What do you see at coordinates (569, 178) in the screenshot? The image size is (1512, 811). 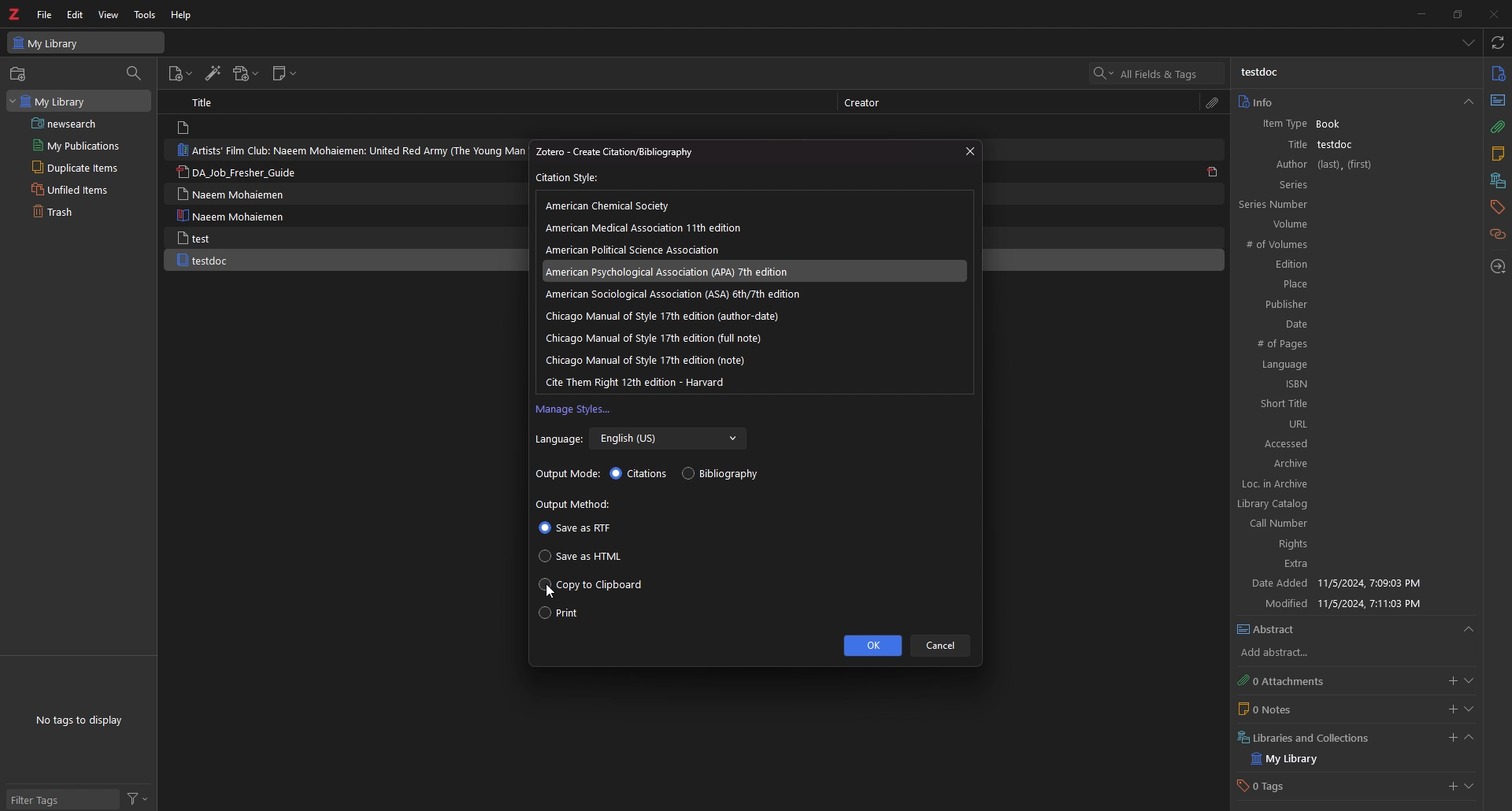 I see `Citation Style:` at bounding box center [569, 178].